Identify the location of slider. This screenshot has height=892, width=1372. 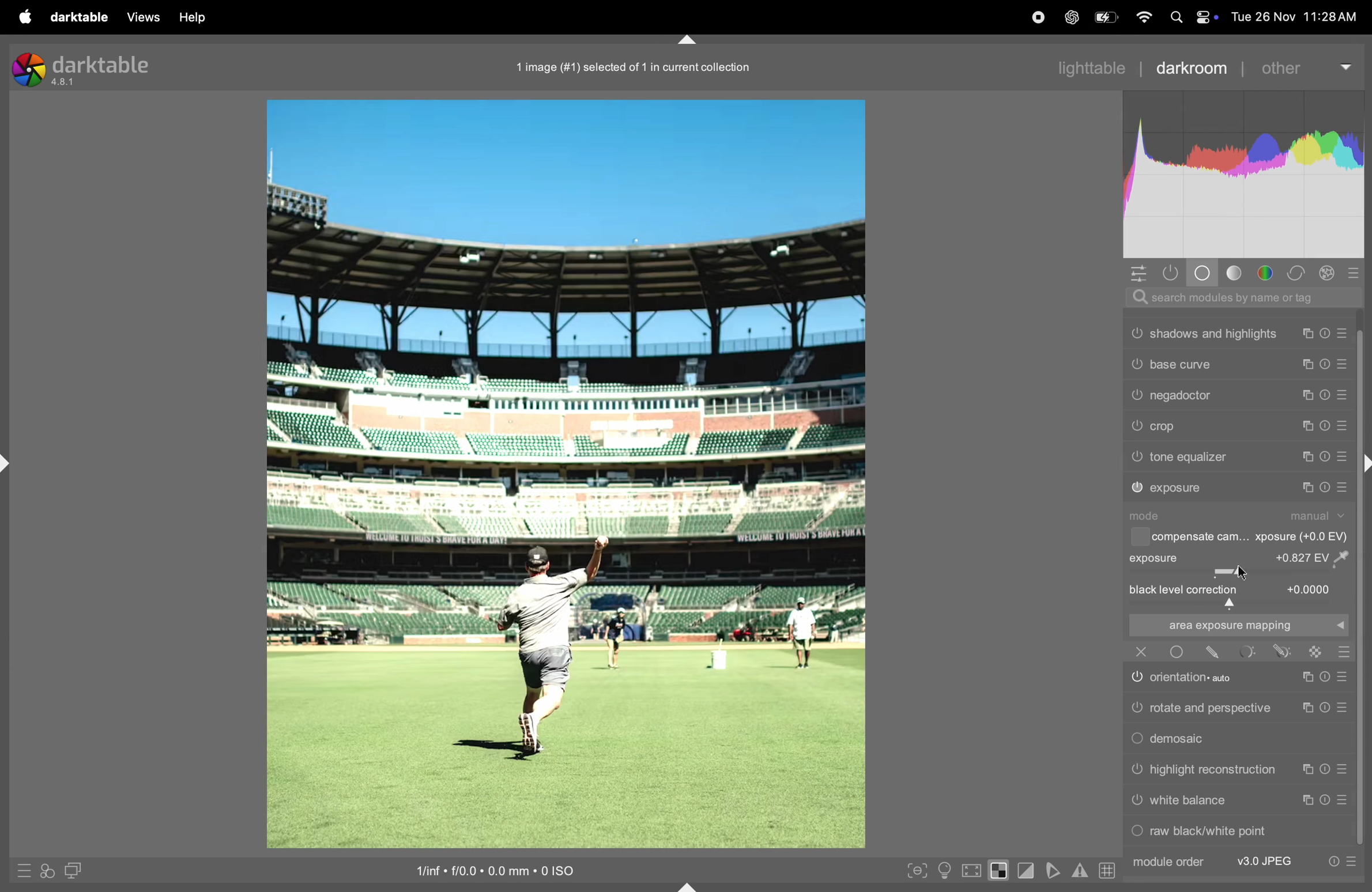
(1238, 572).